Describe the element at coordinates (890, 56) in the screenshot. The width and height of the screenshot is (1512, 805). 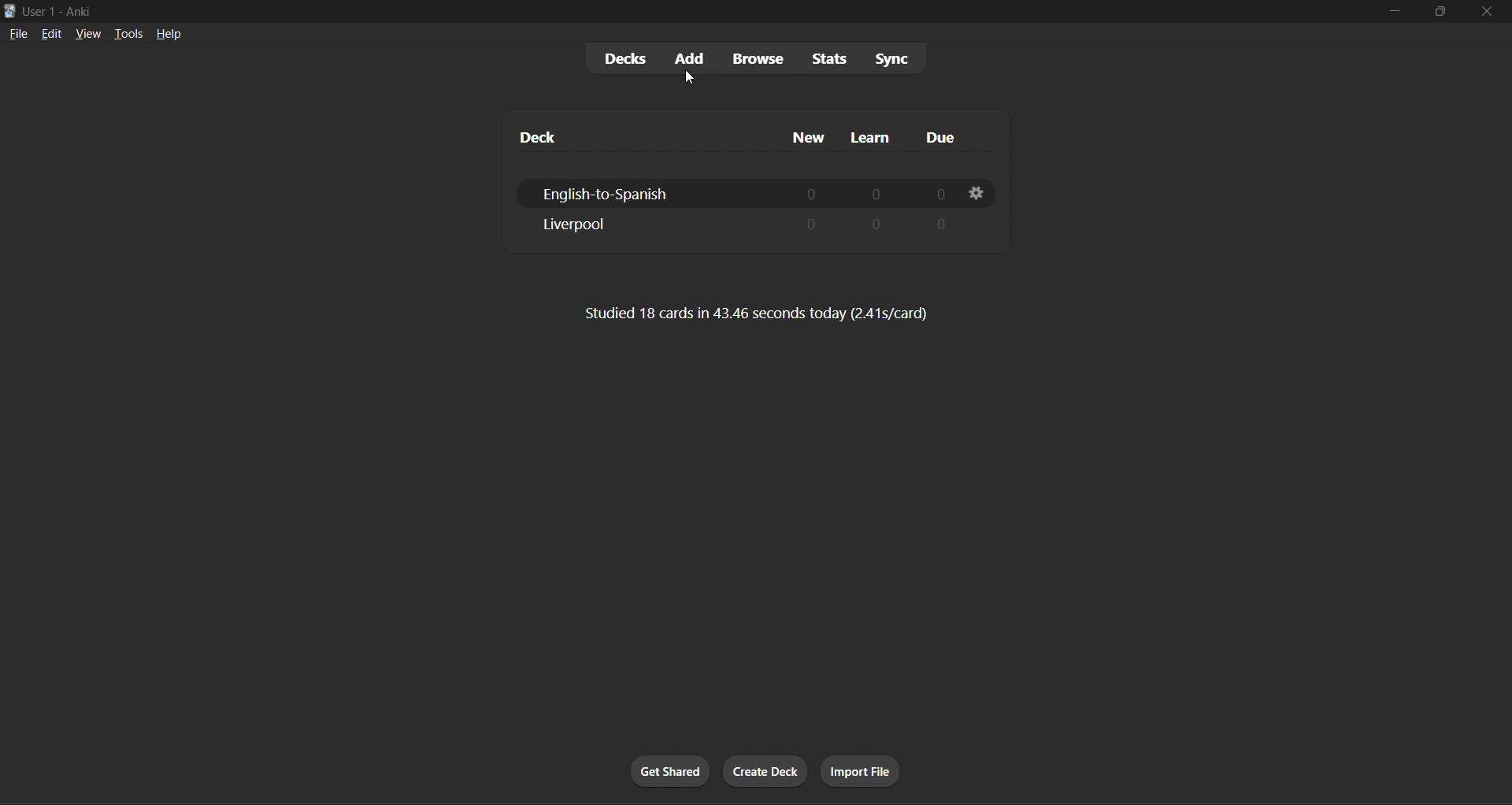
I see `sync` at that location.